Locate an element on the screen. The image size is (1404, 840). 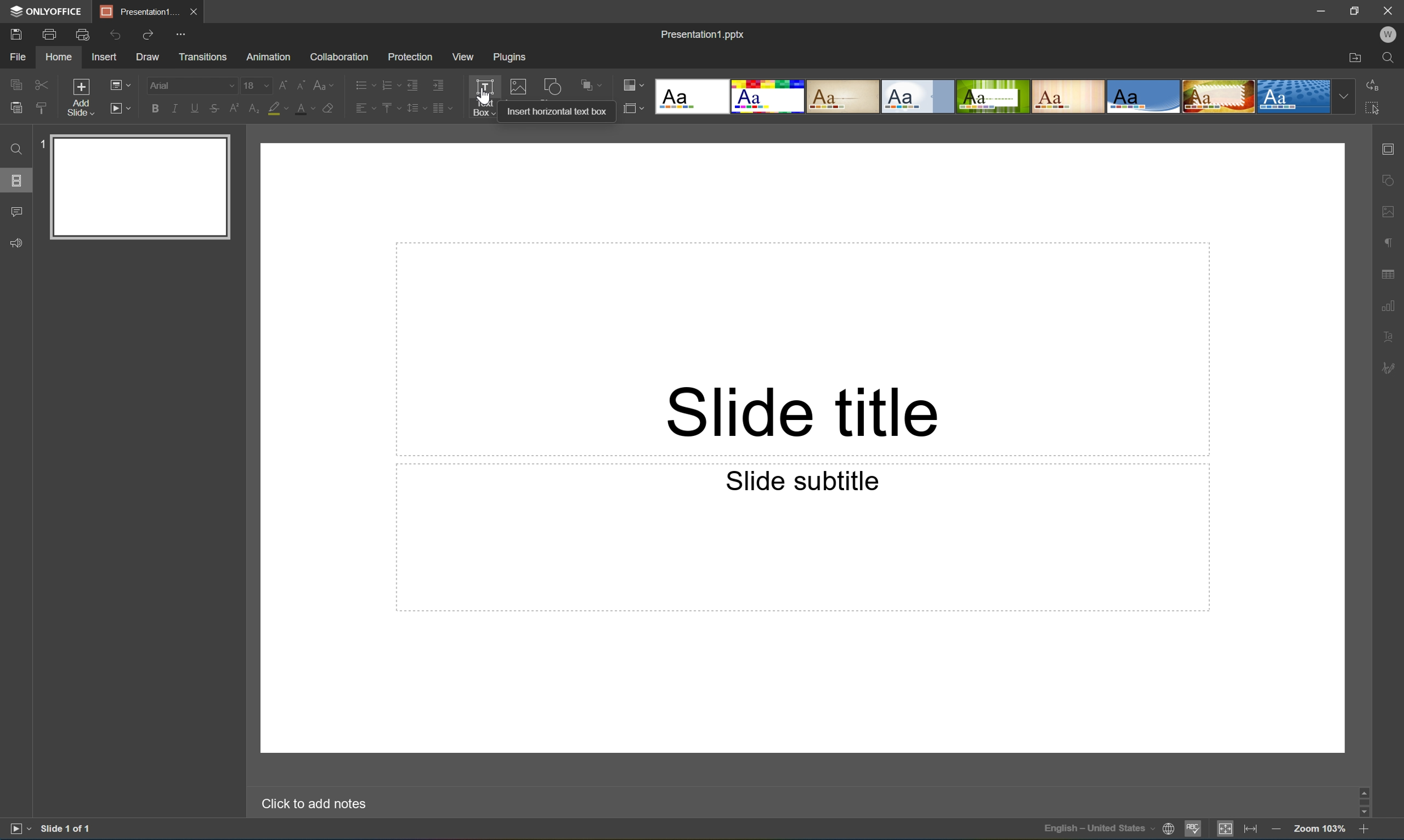
Slide subtitle is located at coordinates (804, 481).